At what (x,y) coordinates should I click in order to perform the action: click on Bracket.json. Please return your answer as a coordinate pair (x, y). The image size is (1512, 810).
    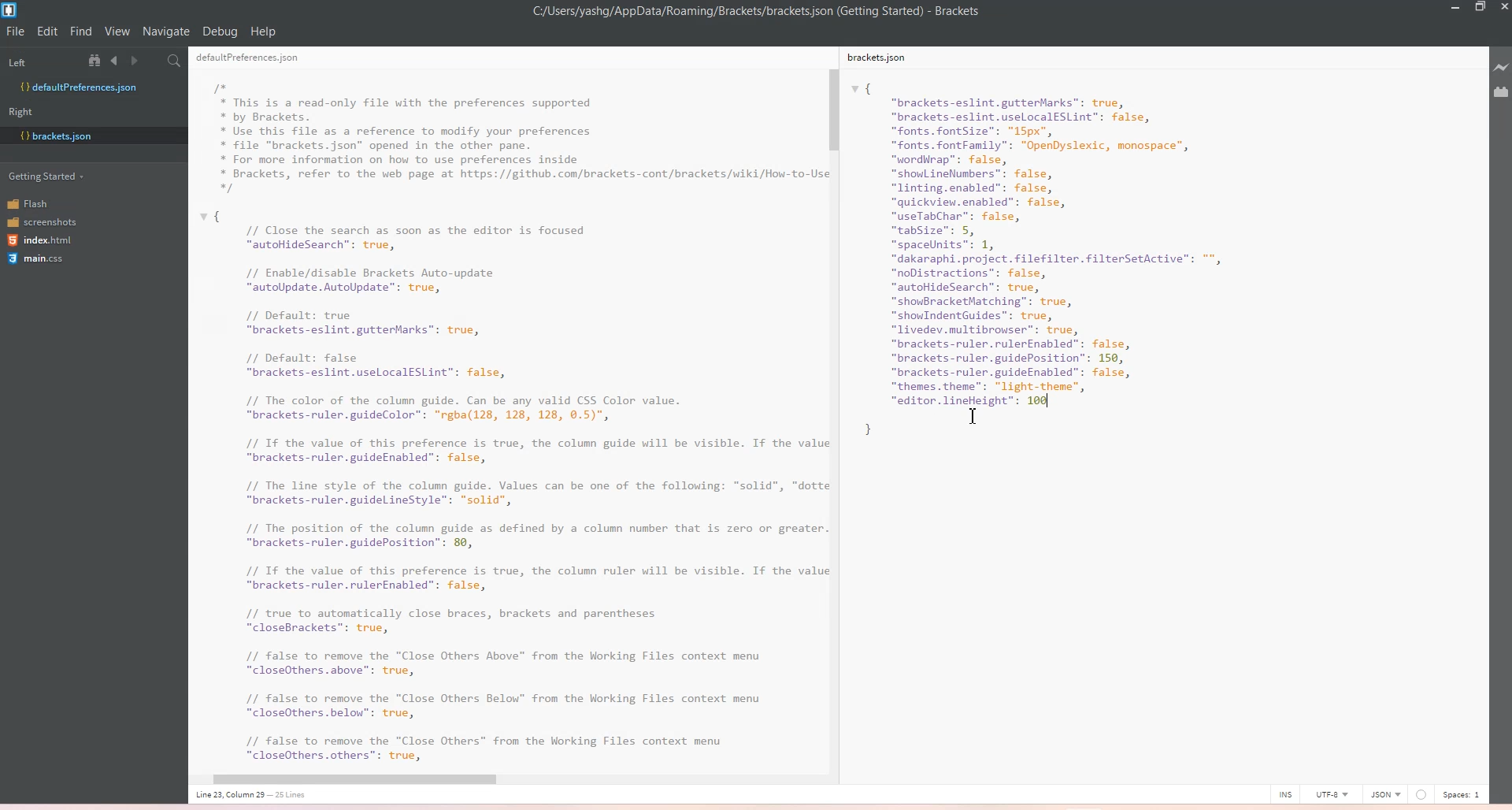
    Looking at the image, I should click on (60, 134).